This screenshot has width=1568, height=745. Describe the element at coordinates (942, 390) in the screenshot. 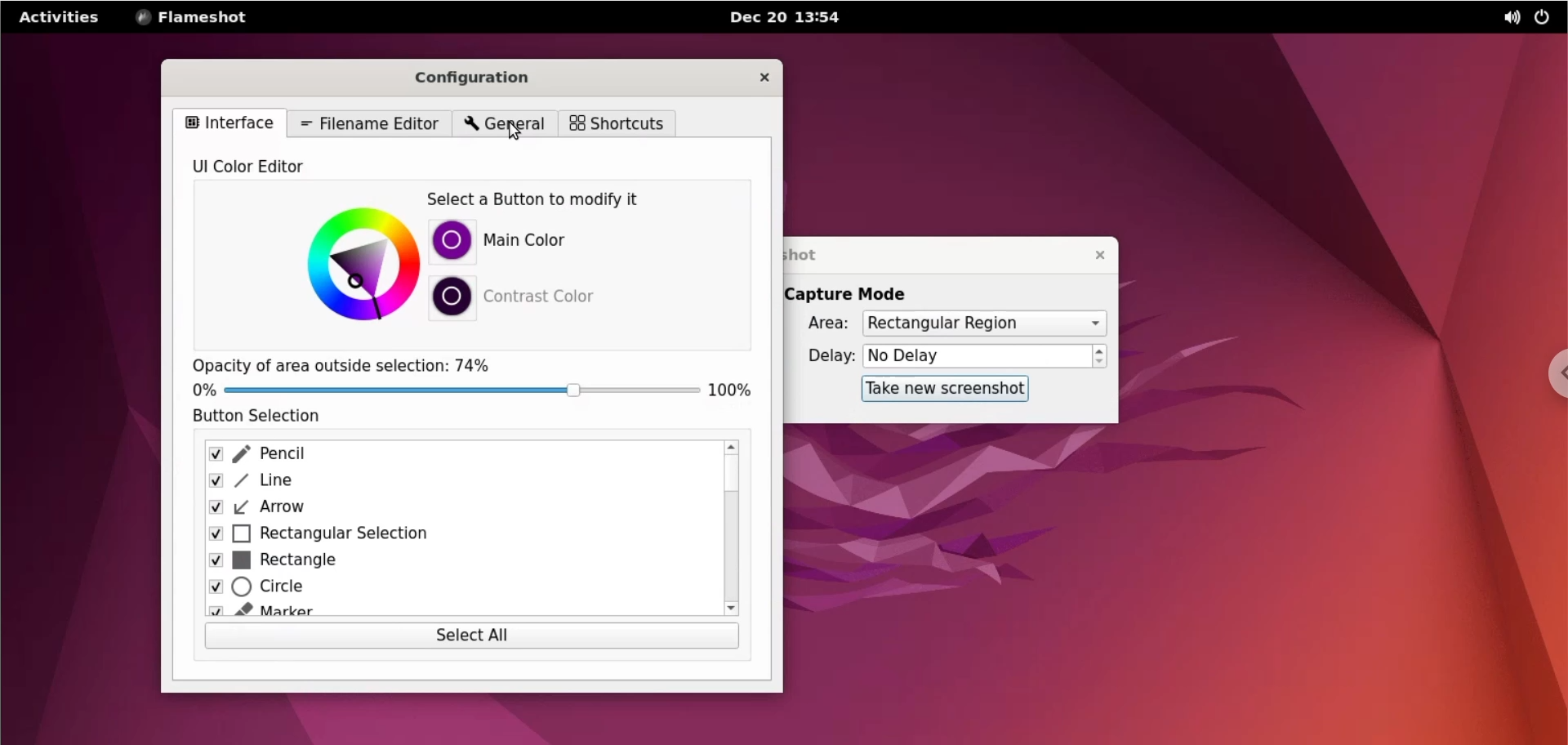

I see `take new screenshot` at that location.